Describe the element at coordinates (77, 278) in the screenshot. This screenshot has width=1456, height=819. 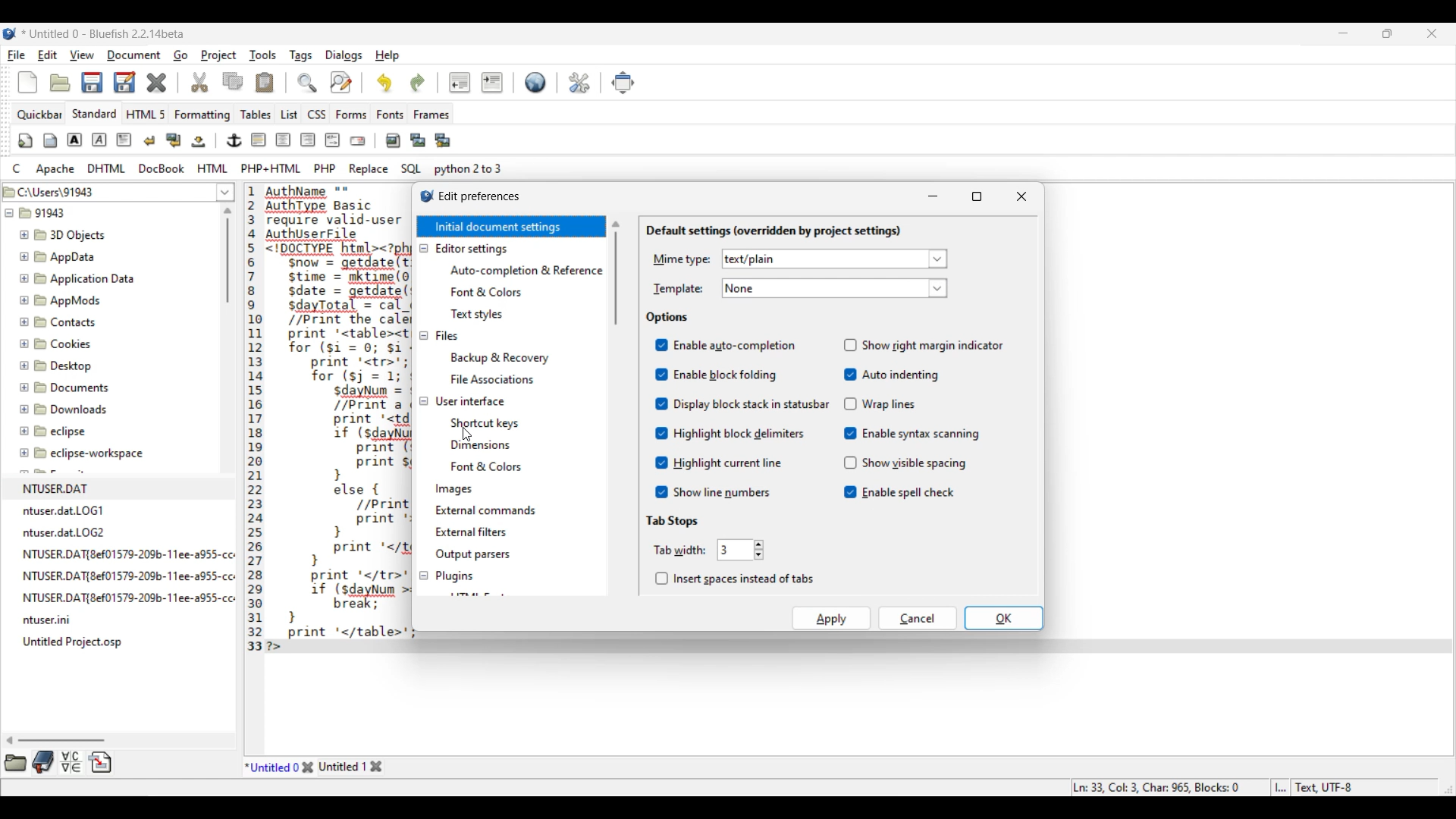
I see `Application Data` at that location.